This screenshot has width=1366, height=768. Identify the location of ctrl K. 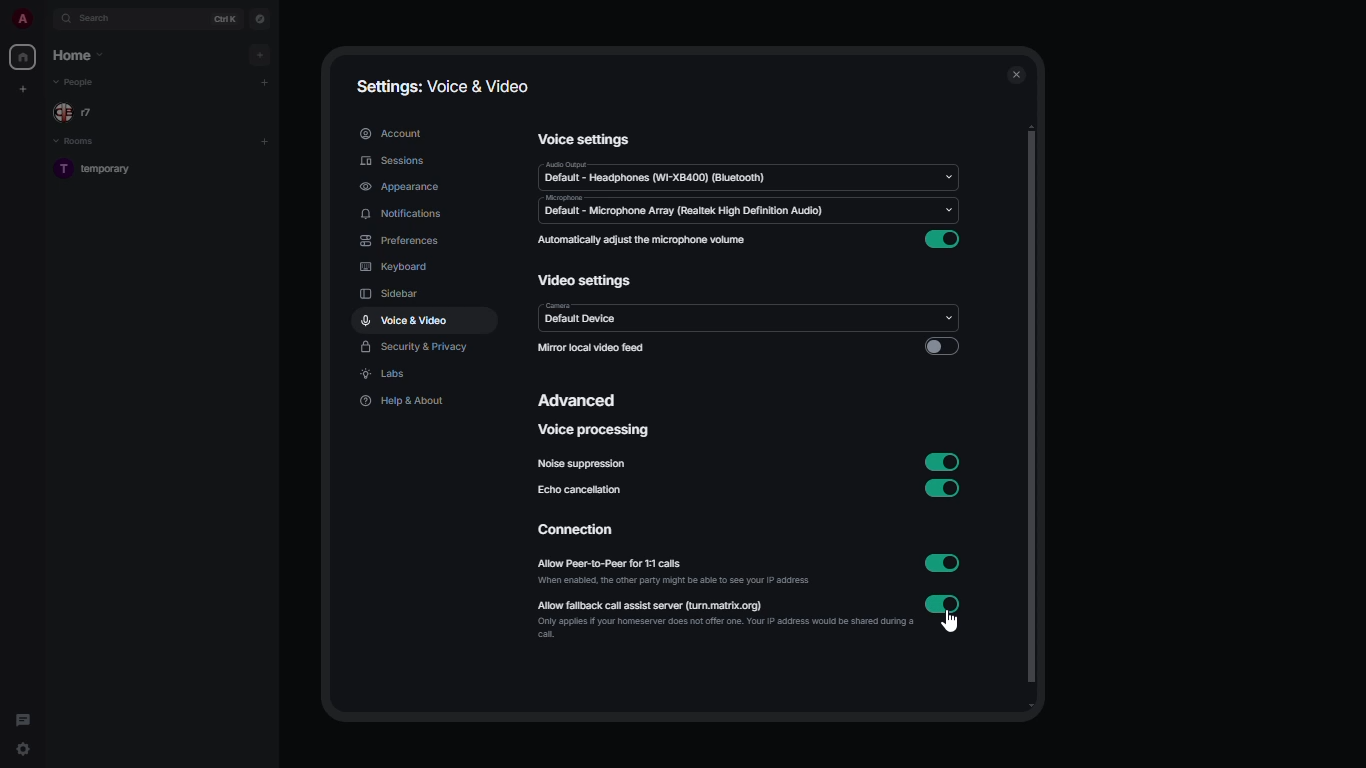
(227, 18).